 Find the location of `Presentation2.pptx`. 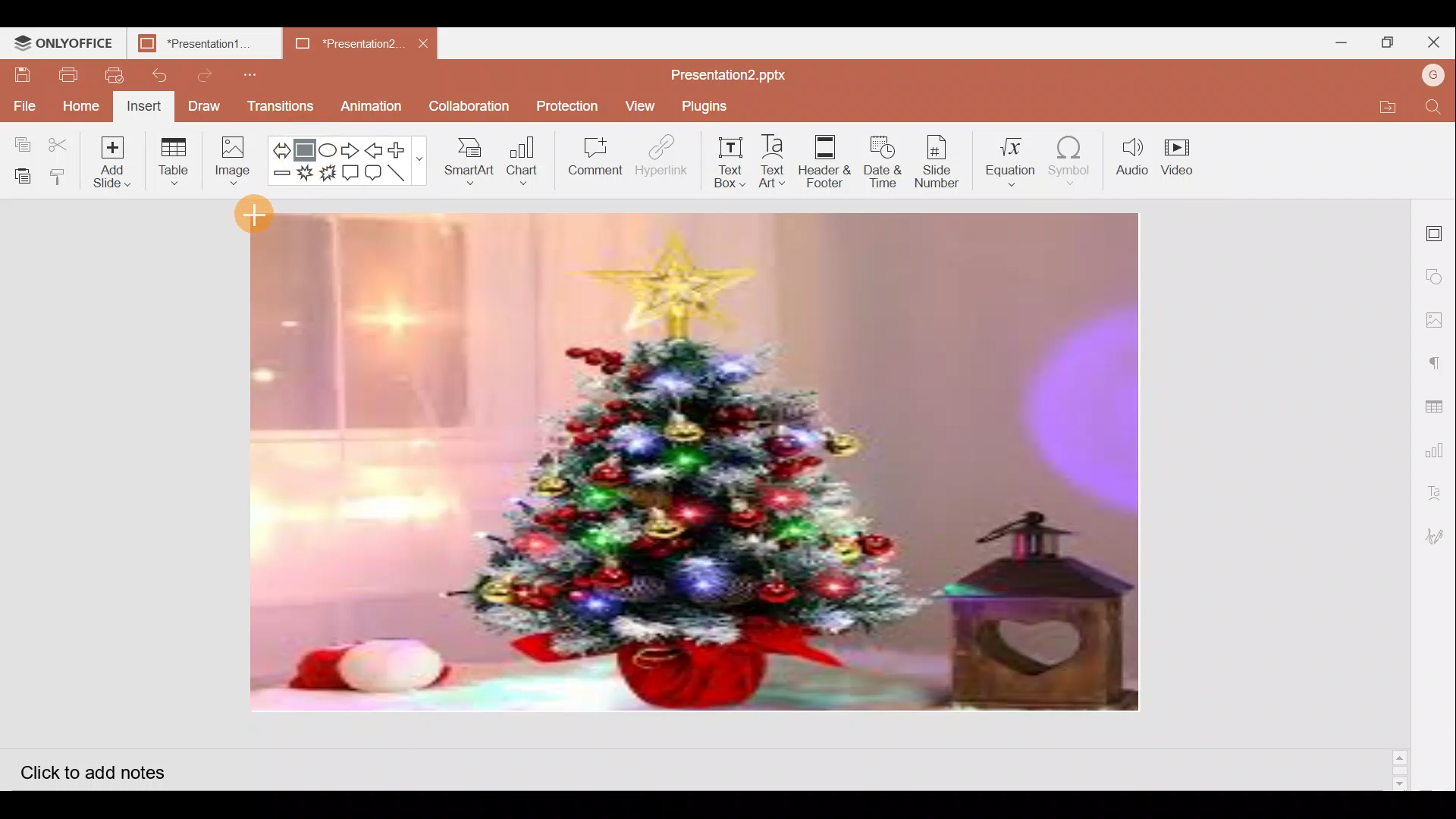

Presentation2.pptx is located at coordinates (740, 72).